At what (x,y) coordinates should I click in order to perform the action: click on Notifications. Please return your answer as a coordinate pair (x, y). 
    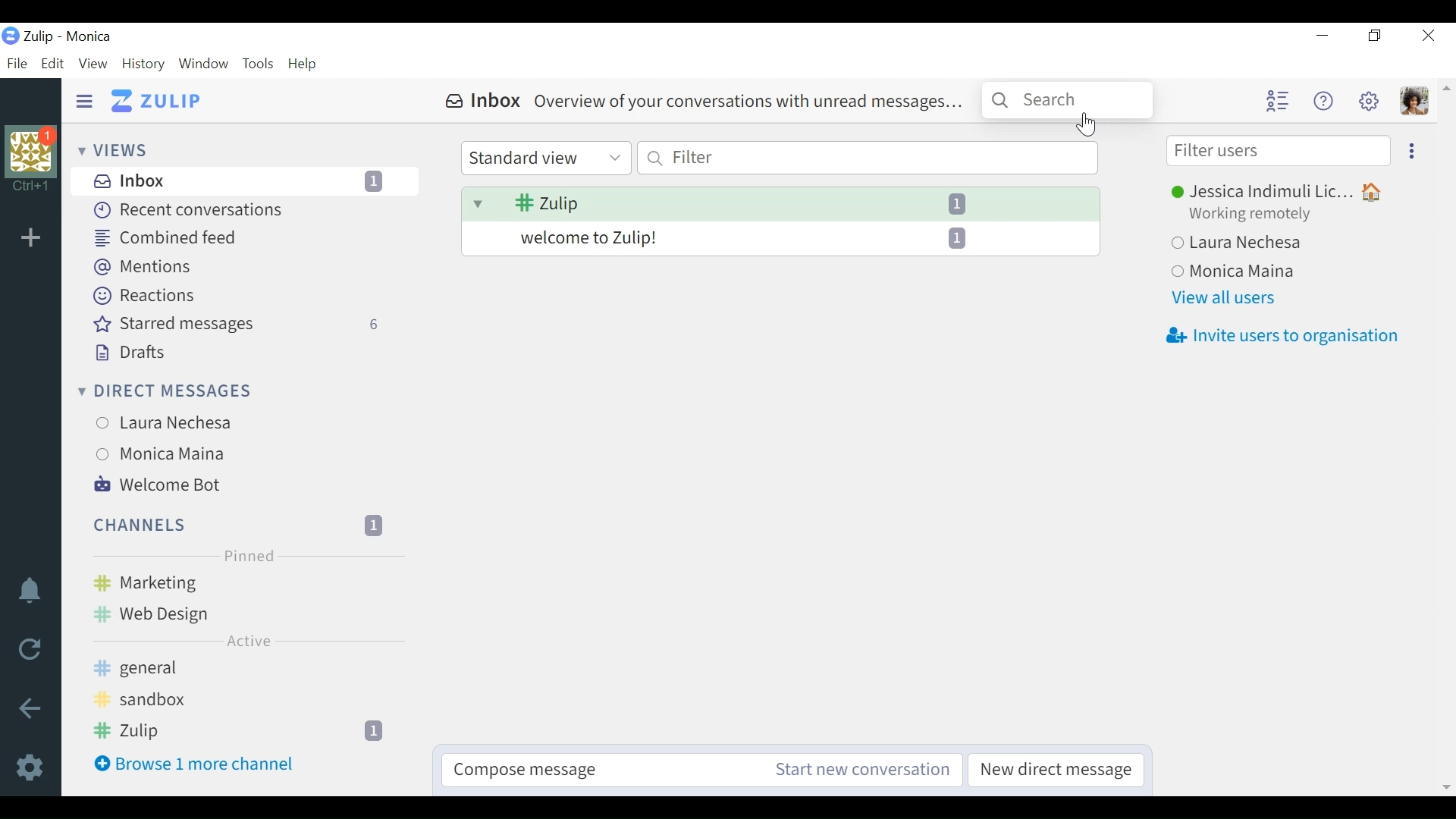
    Looking at the image, I should click on (30, 594).